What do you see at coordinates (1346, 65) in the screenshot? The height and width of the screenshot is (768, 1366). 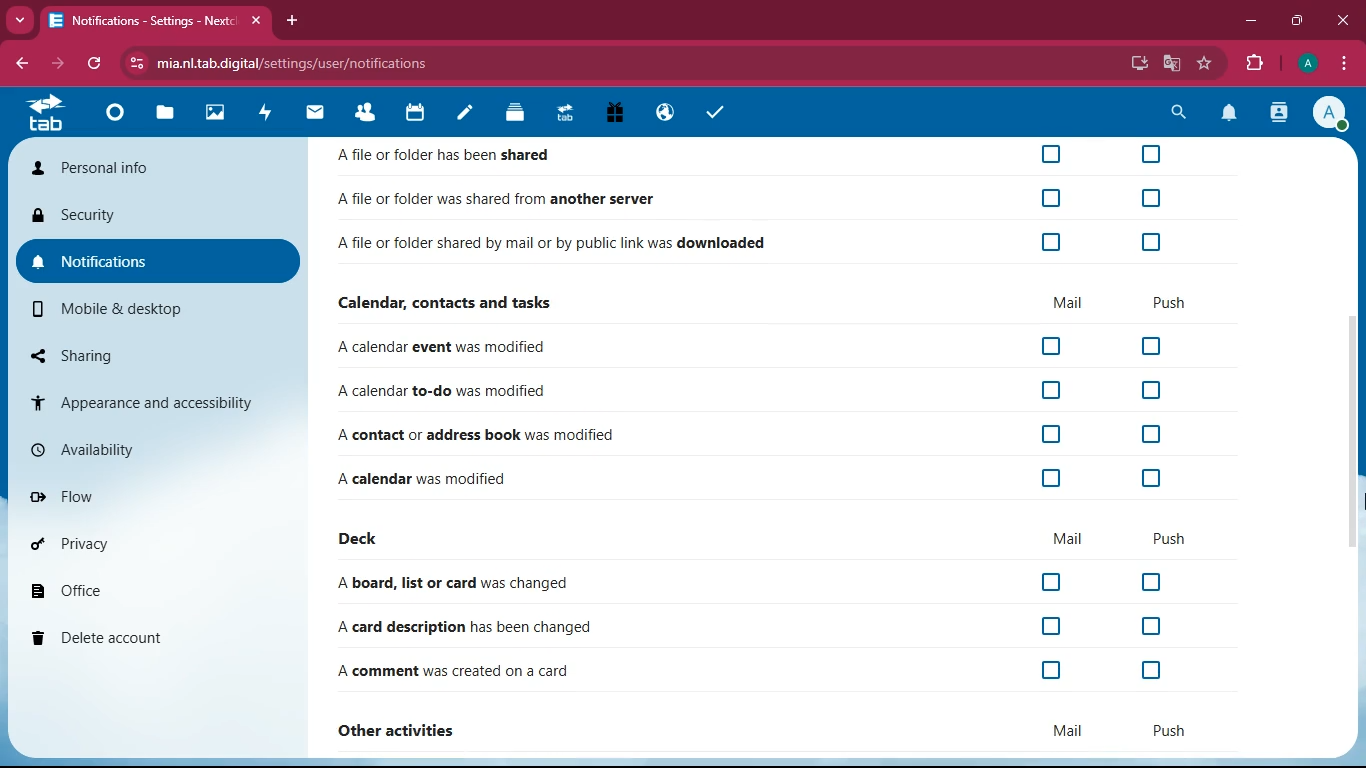 I see `options` at bounding box center [1346, 65].